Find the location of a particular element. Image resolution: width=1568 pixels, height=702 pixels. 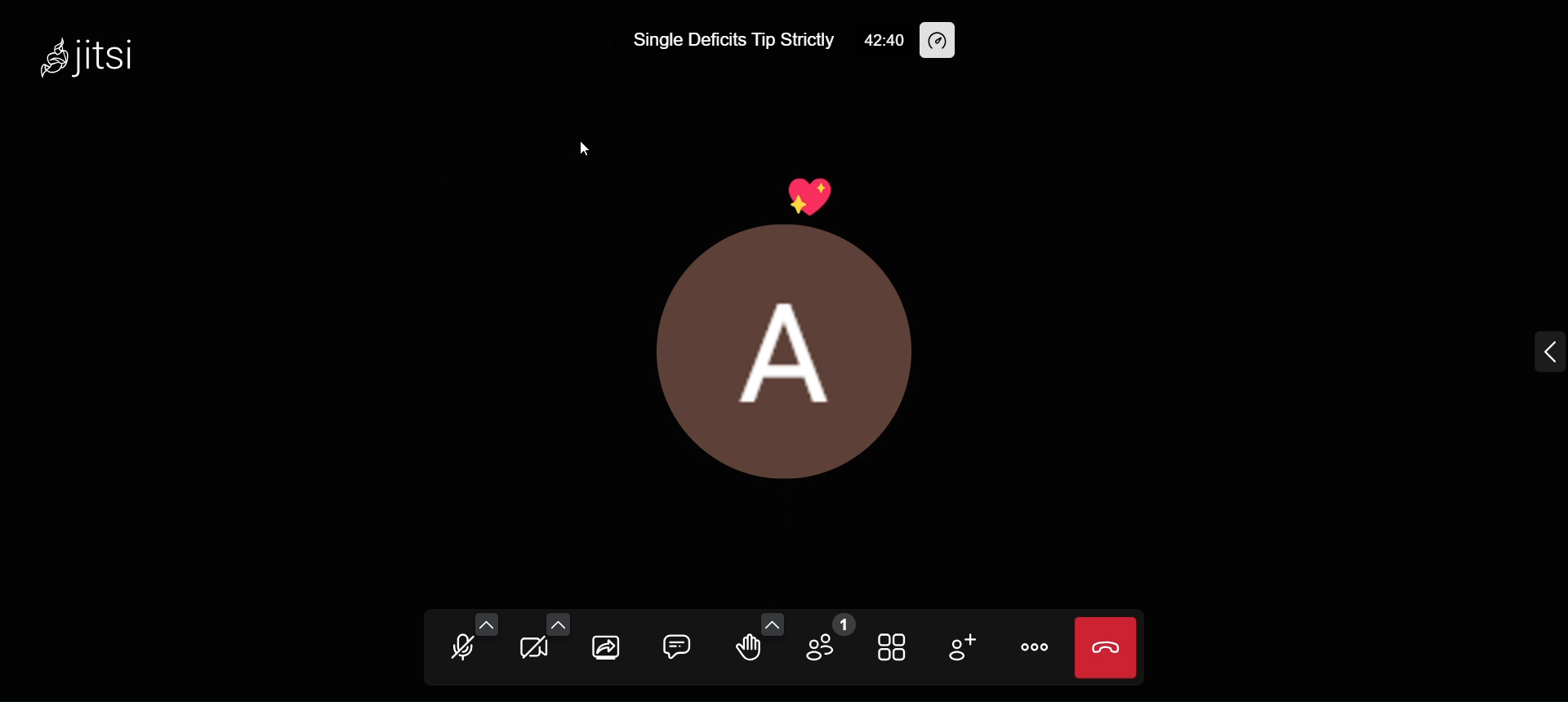

Performance Setting is located at coordinates (944, 41).